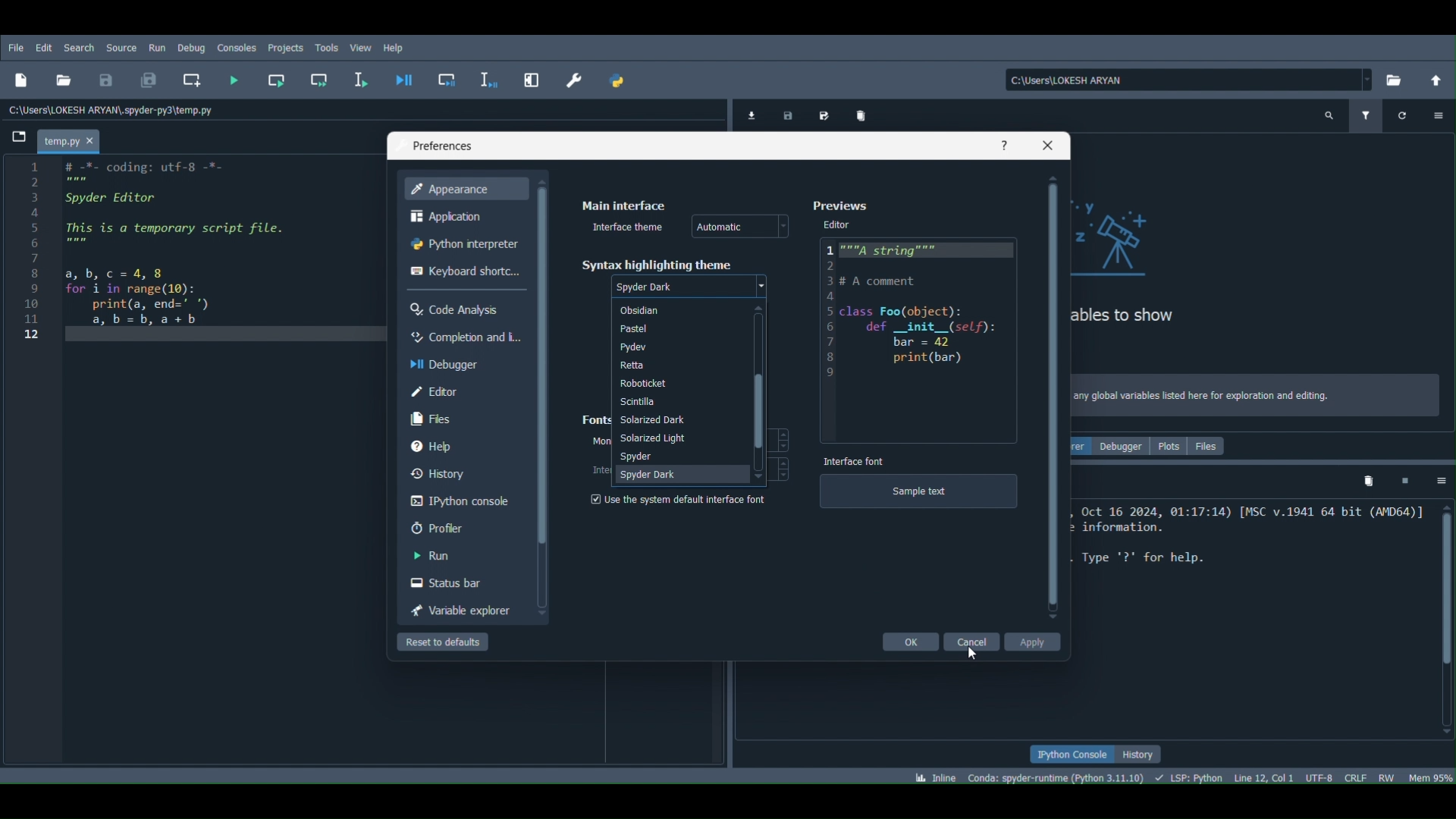  I want to click on Options, so click(1441, 480).